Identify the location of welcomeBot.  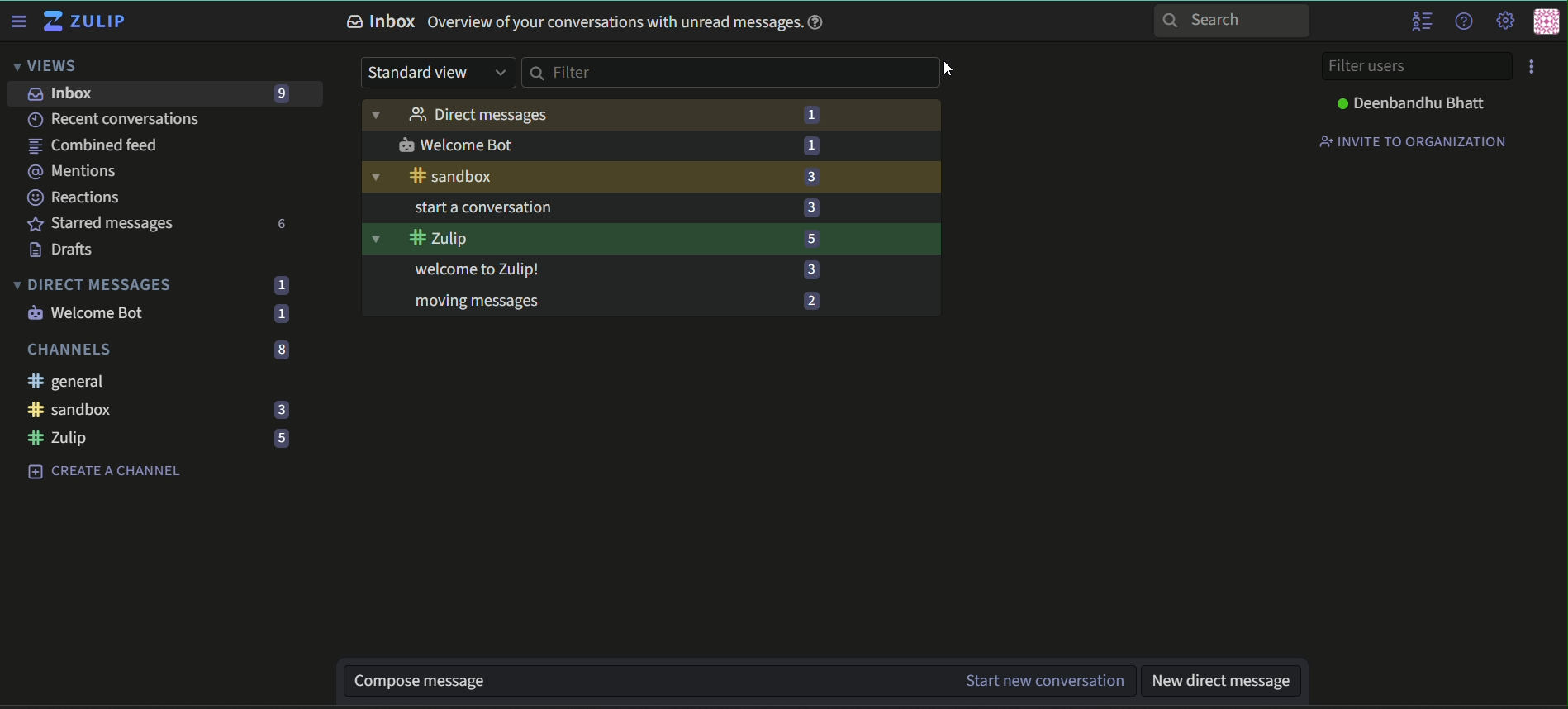
(590, 145).